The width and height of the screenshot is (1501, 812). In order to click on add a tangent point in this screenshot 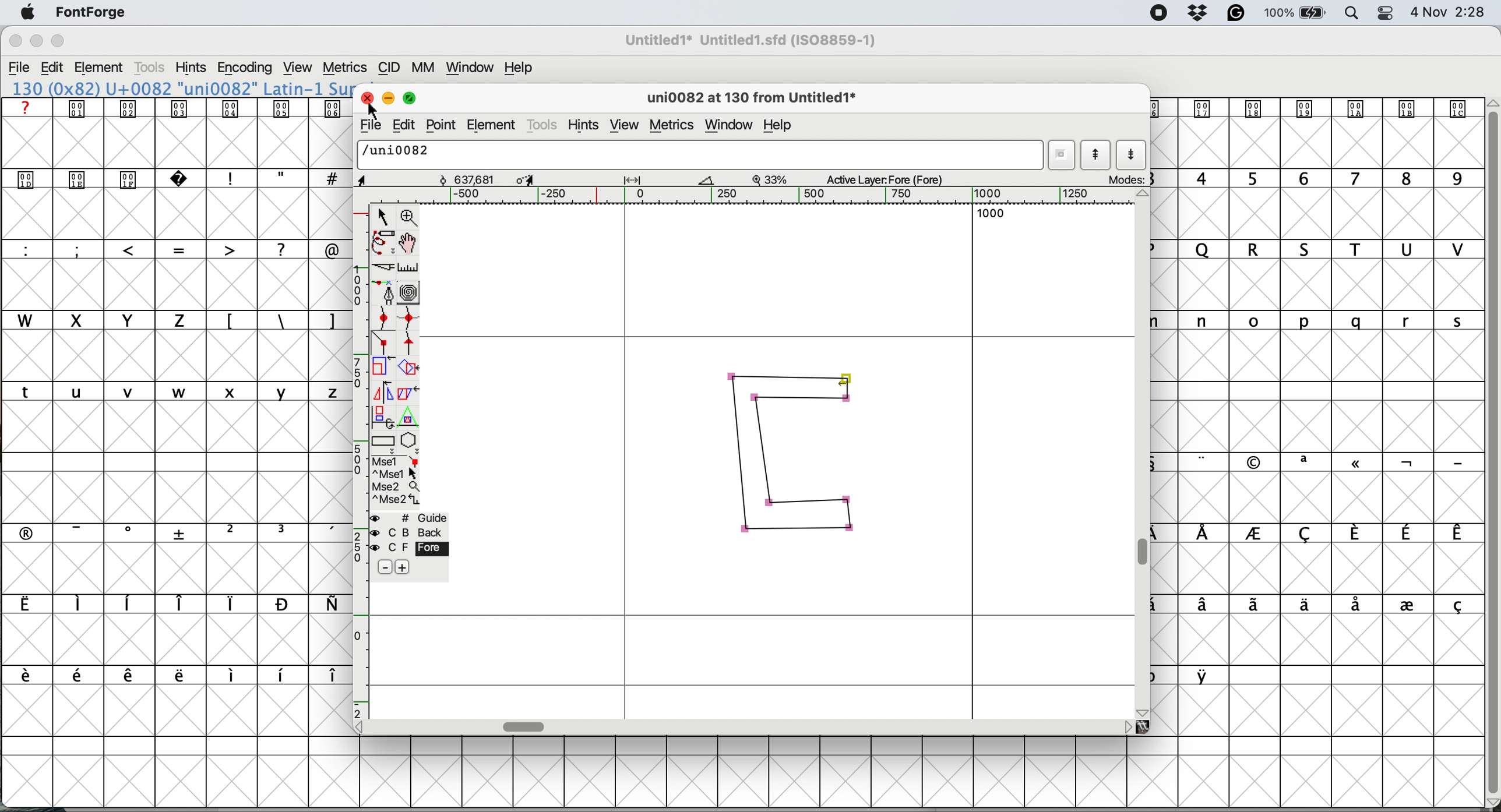, I will do `click(410, 343)`.